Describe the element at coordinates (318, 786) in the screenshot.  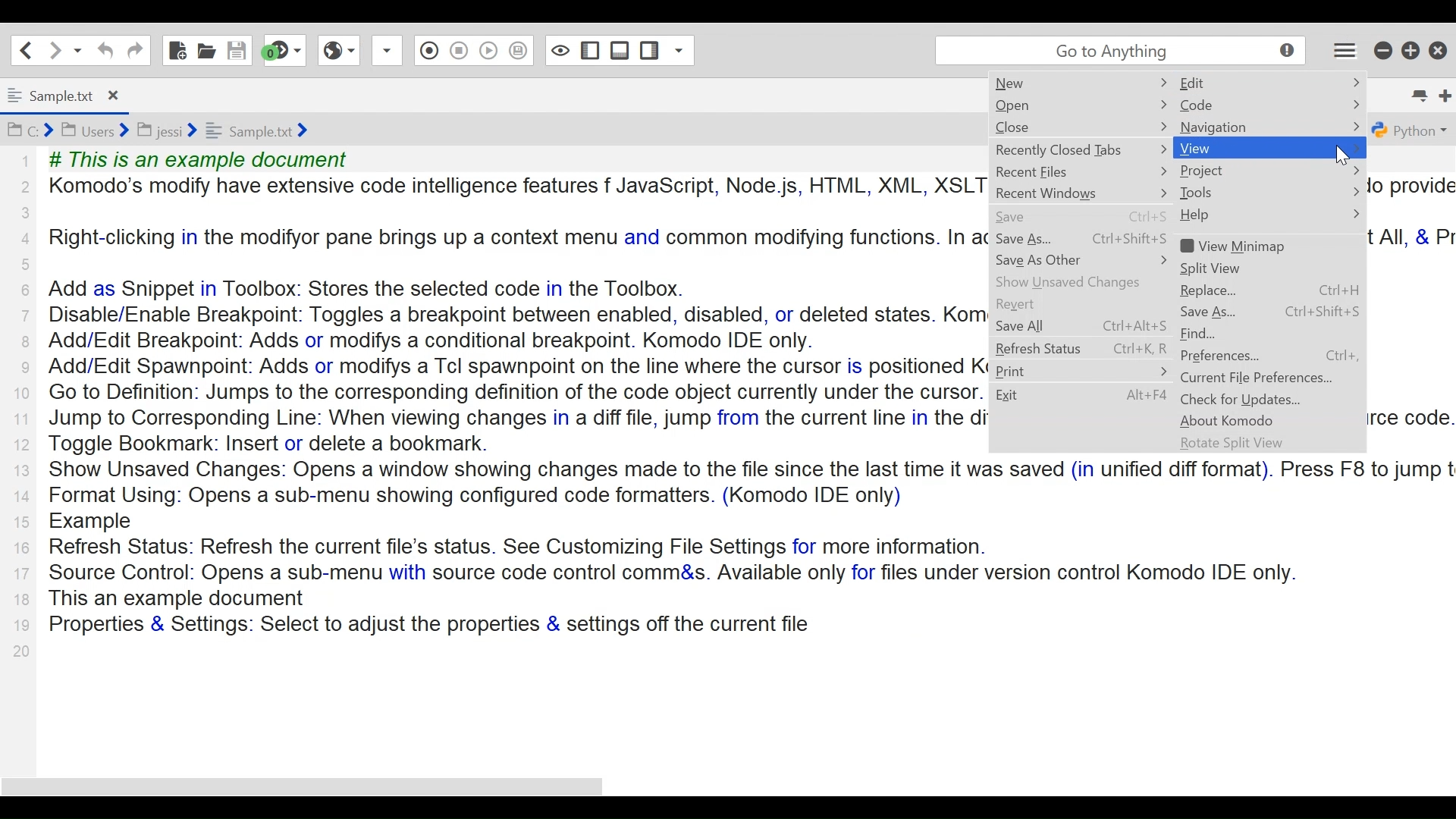
I see `horizontal scroll bar` at that location.